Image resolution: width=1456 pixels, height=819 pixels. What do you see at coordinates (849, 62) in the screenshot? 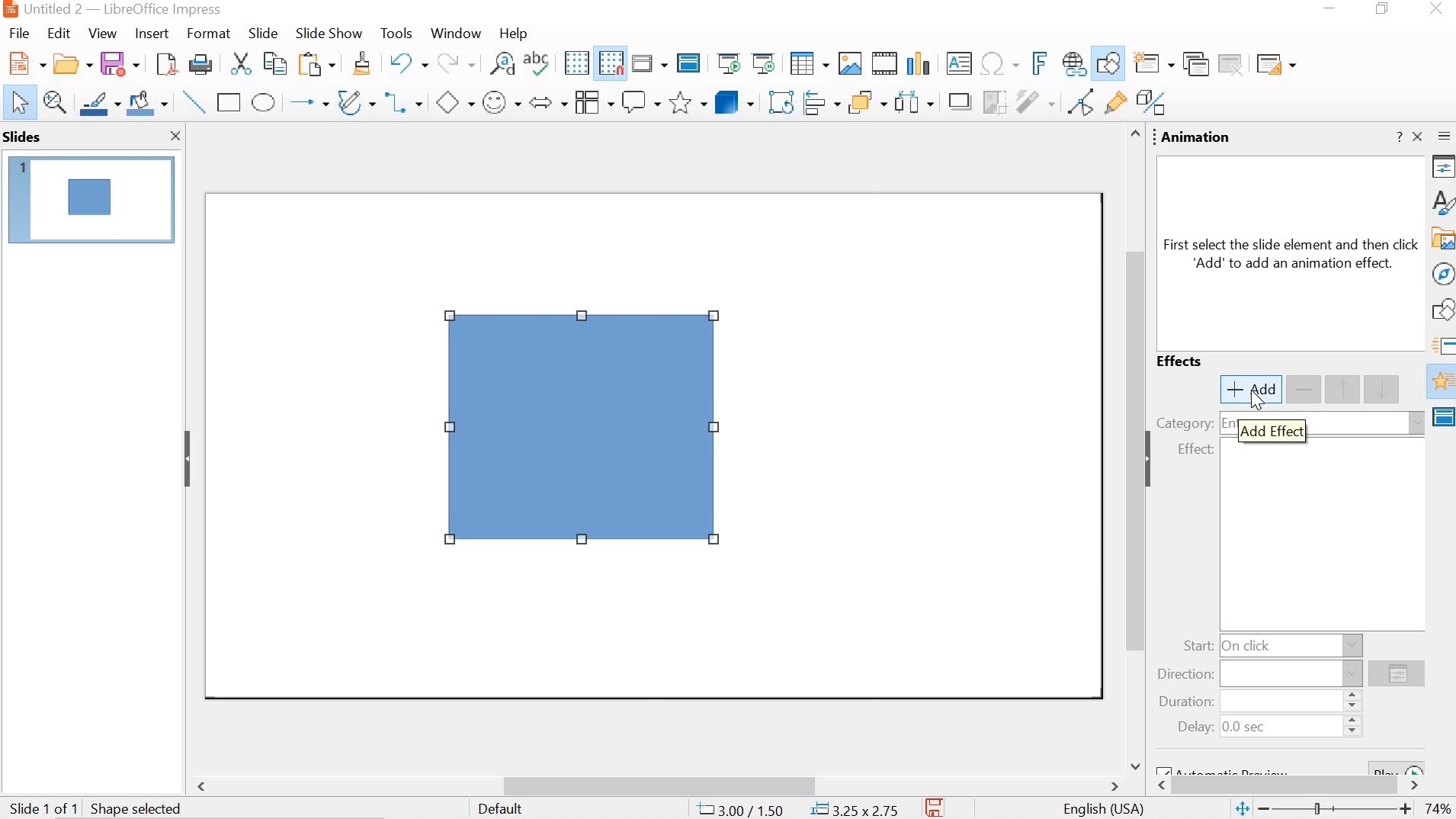
I see `insert image` at bounding box center [849, 62].